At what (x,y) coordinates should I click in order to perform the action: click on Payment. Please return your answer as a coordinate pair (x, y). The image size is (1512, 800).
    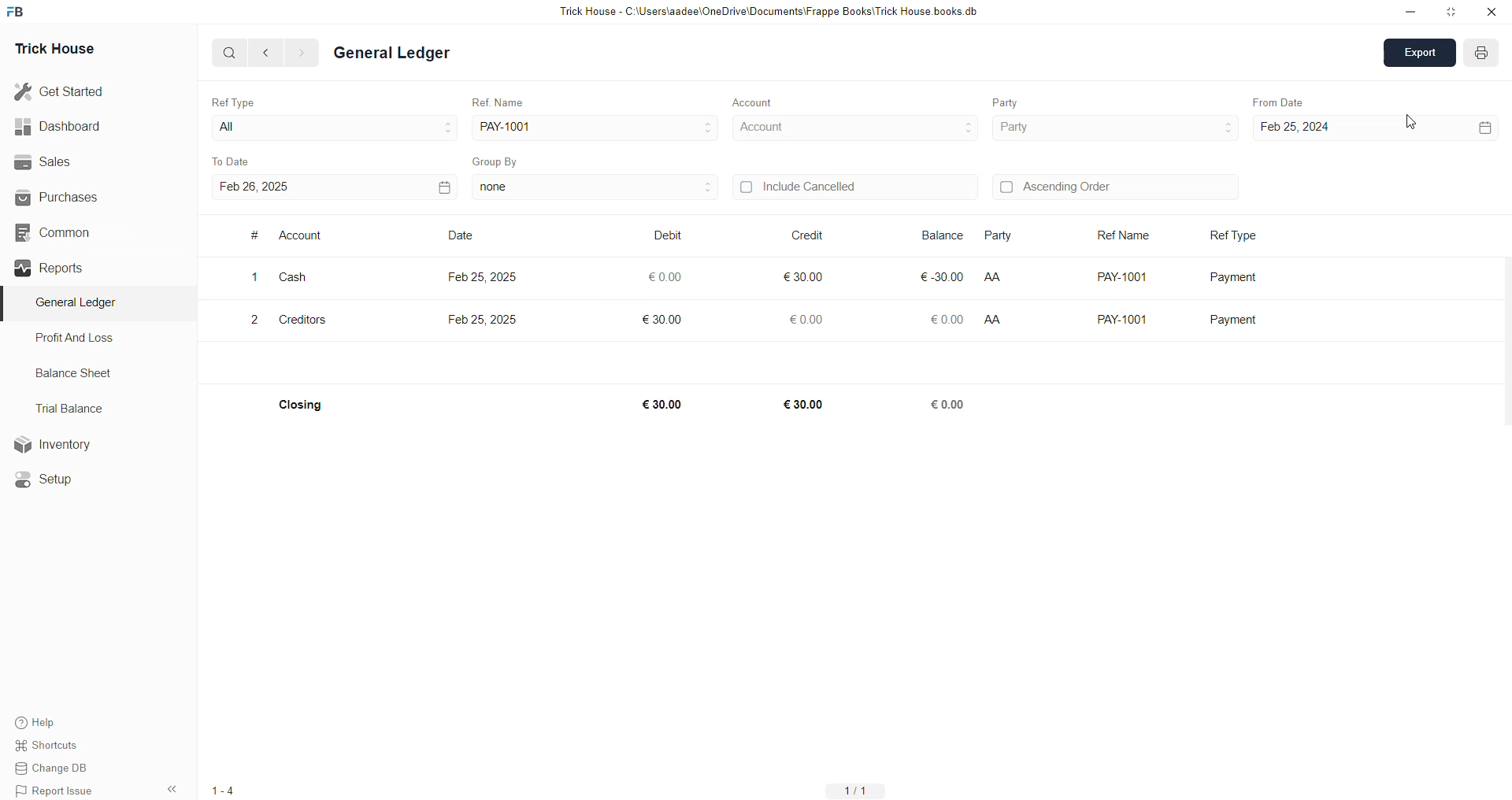
    Looking at the image, I should click on (1239, 275).